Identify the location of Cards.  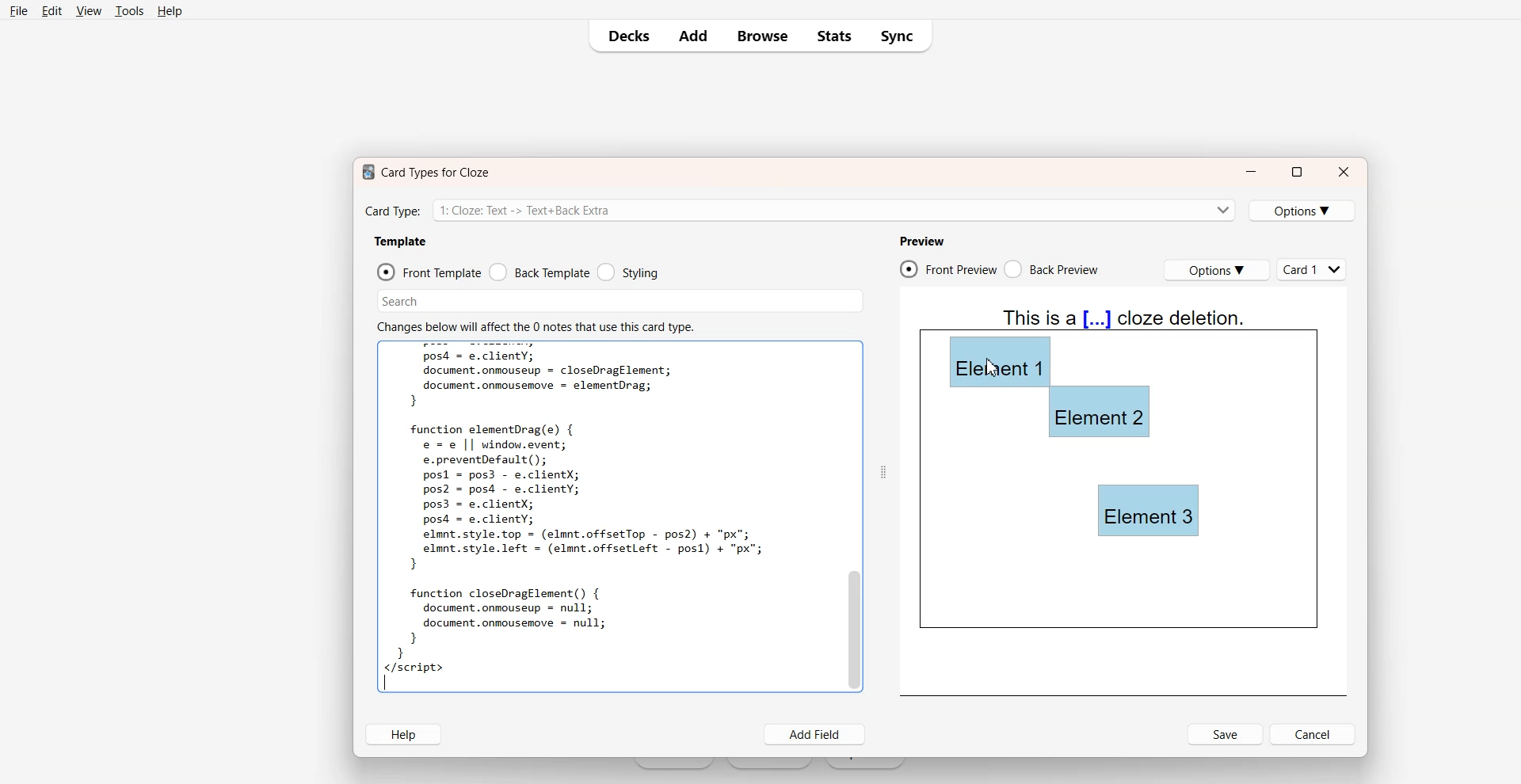
(1313, 269).